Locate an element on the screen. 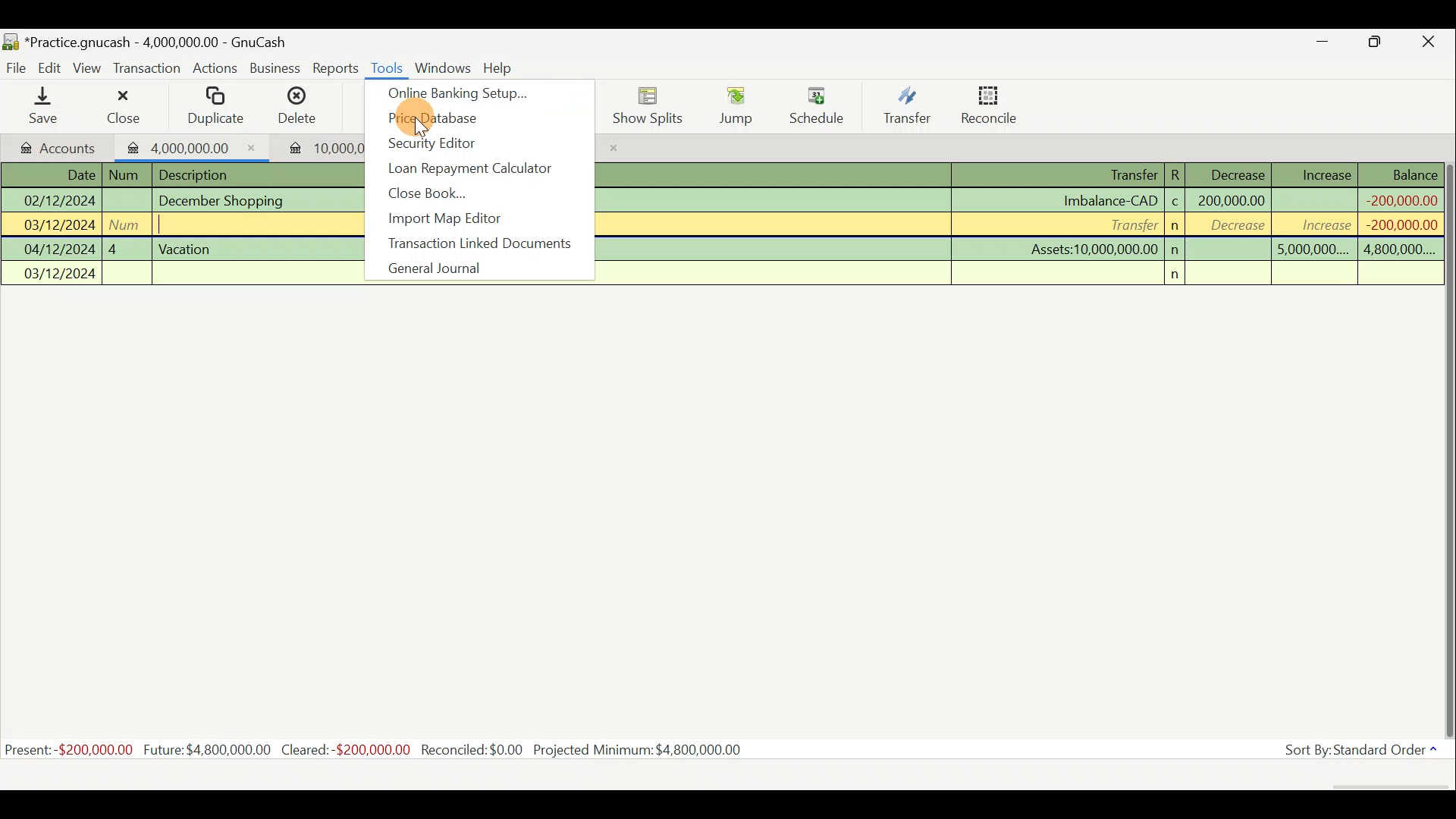 The image size is (1456, 819). Maximise is located at coordinates (1384, 44).